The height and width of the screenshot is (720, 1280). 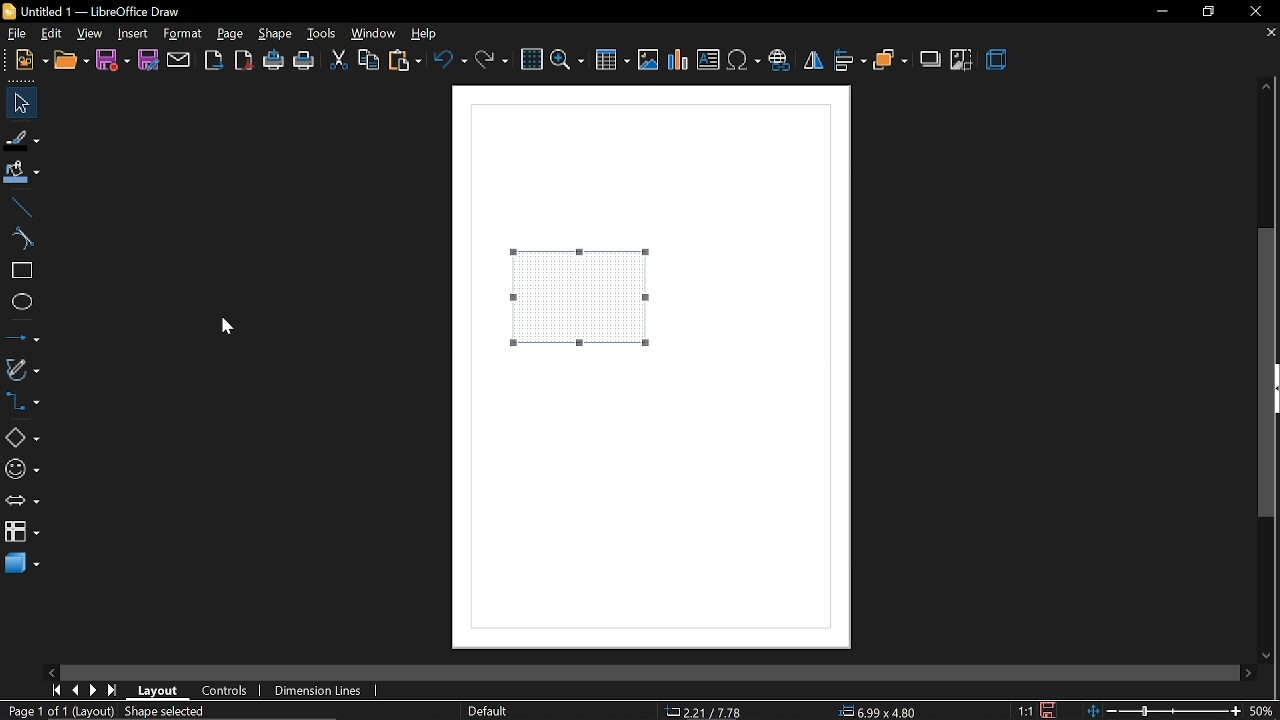 I want to click on shadow, so click(x=928, y=58).